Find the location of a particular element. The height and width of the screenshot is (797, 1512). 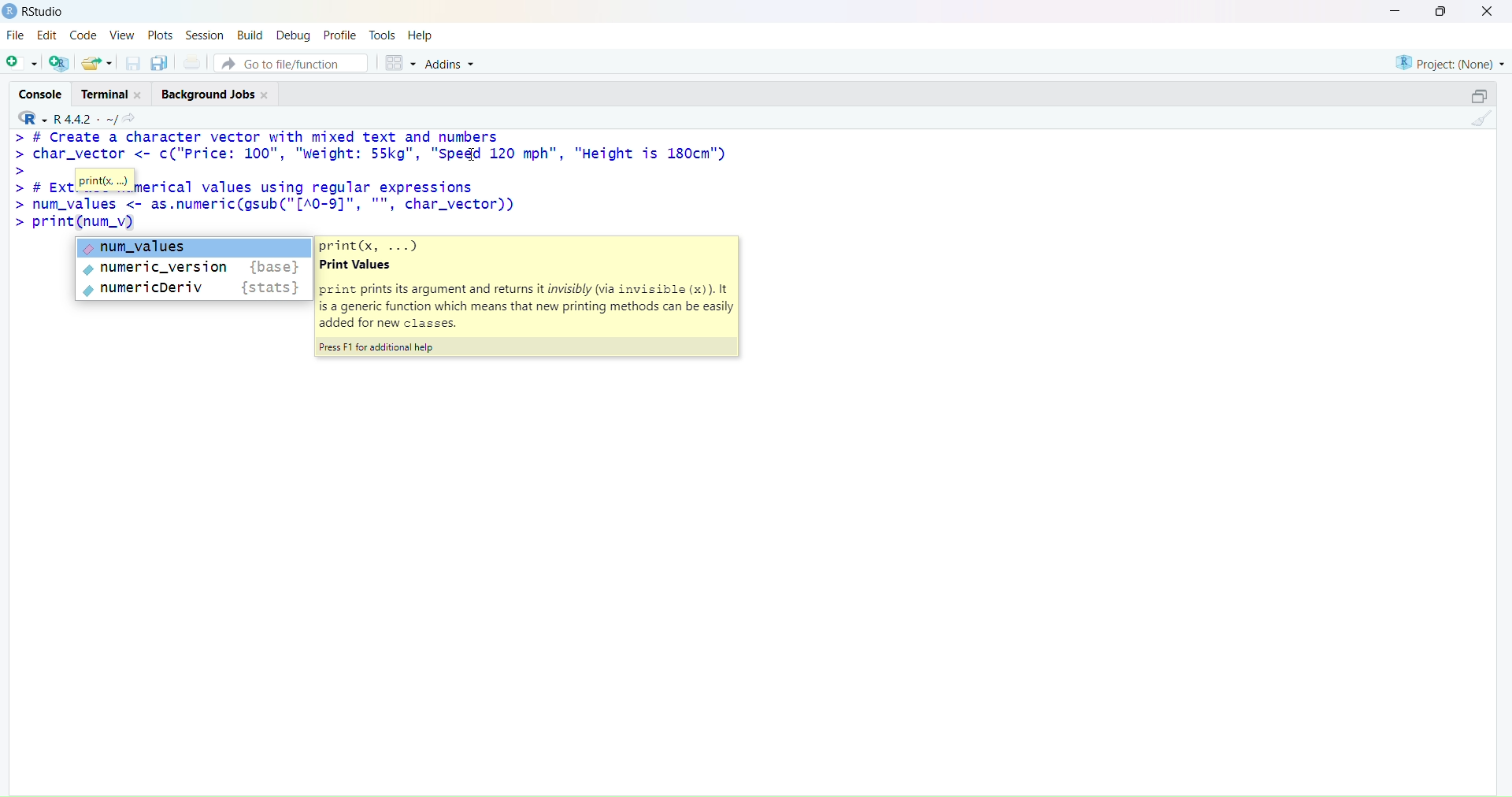

build is located at coordinates (252, 36).